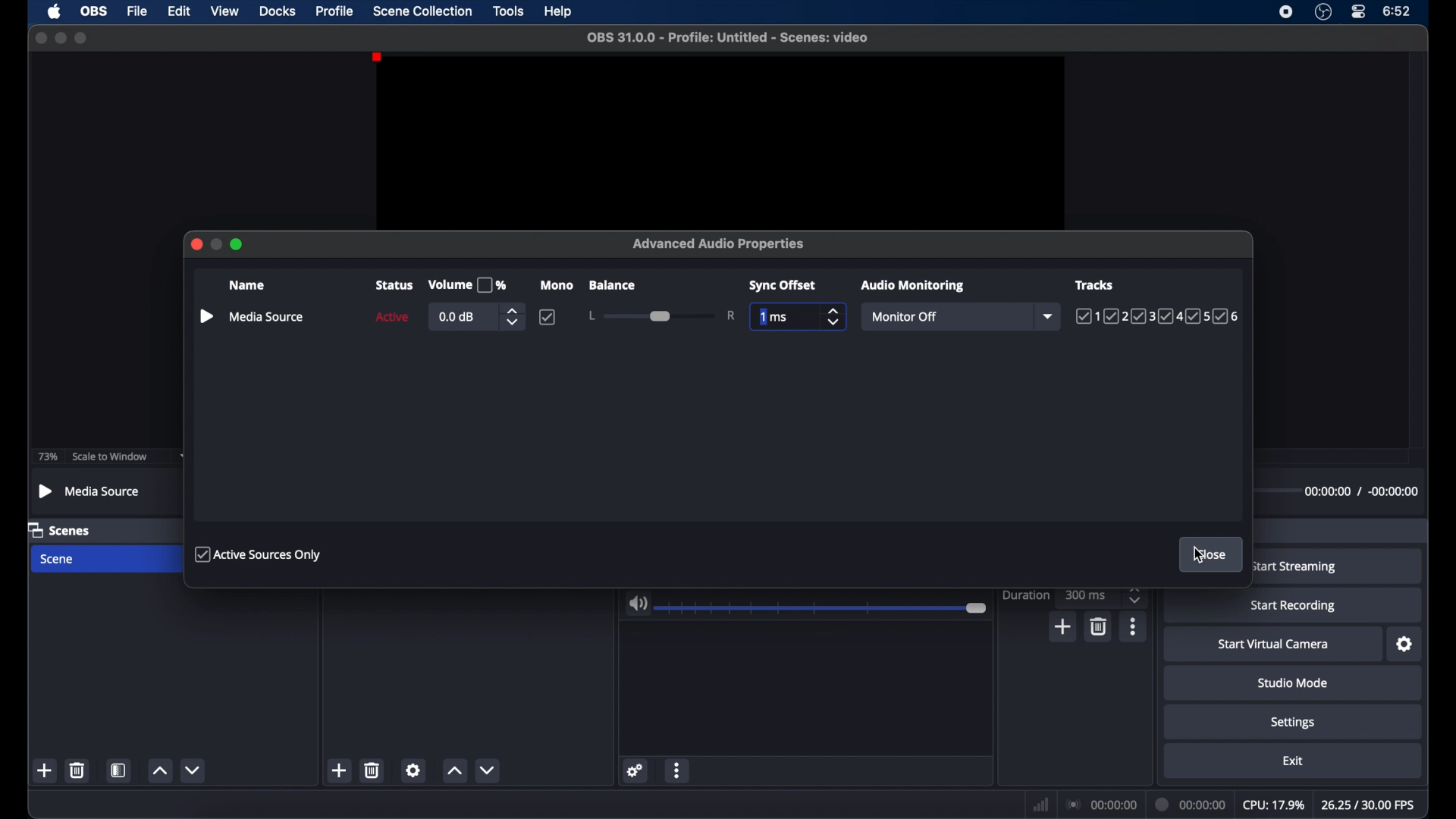  I want to click on network, so click(1041, 805).